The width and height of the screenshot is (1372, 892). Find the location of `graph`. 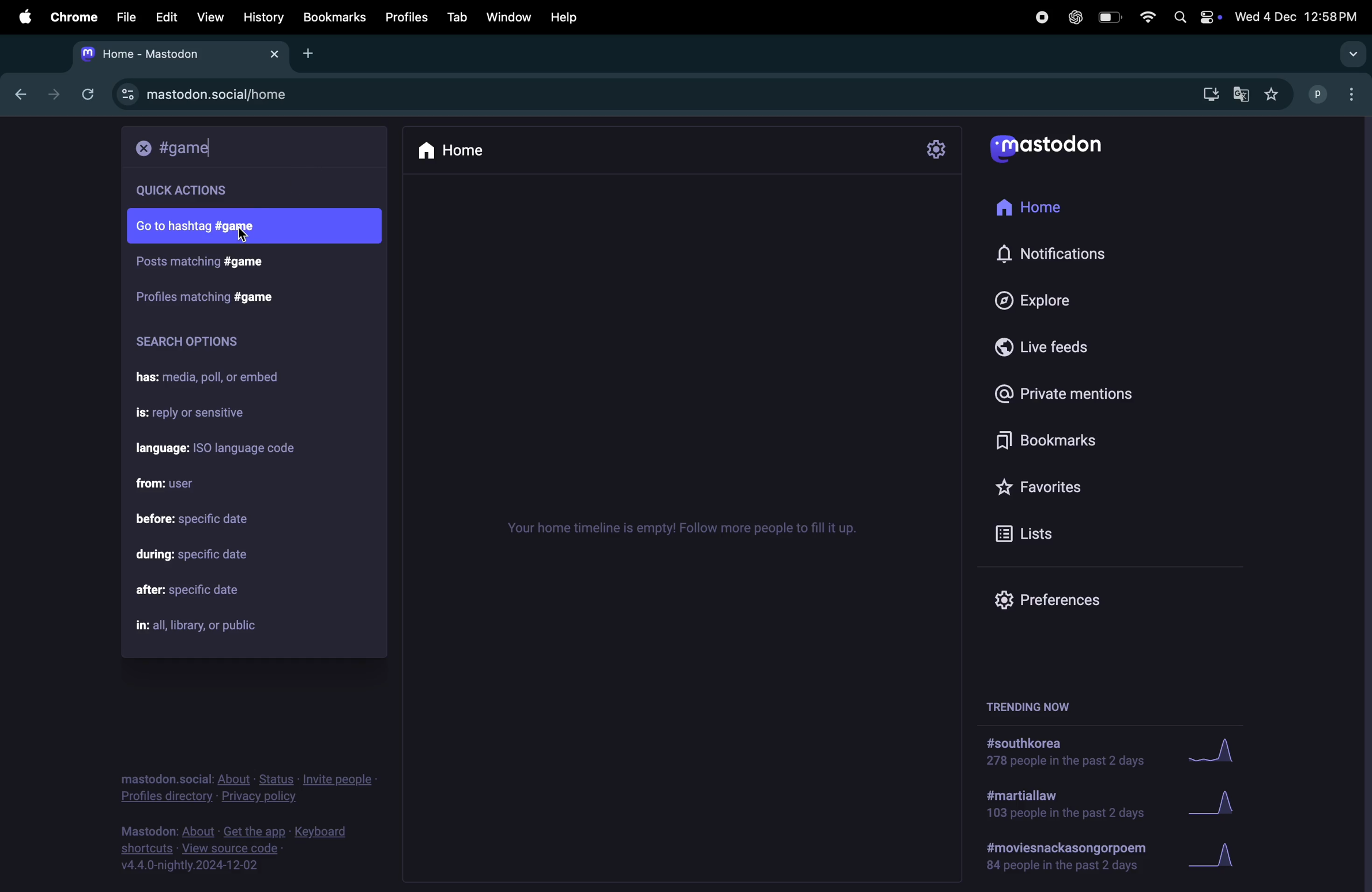

graph is located at coordinates (1218, 752).